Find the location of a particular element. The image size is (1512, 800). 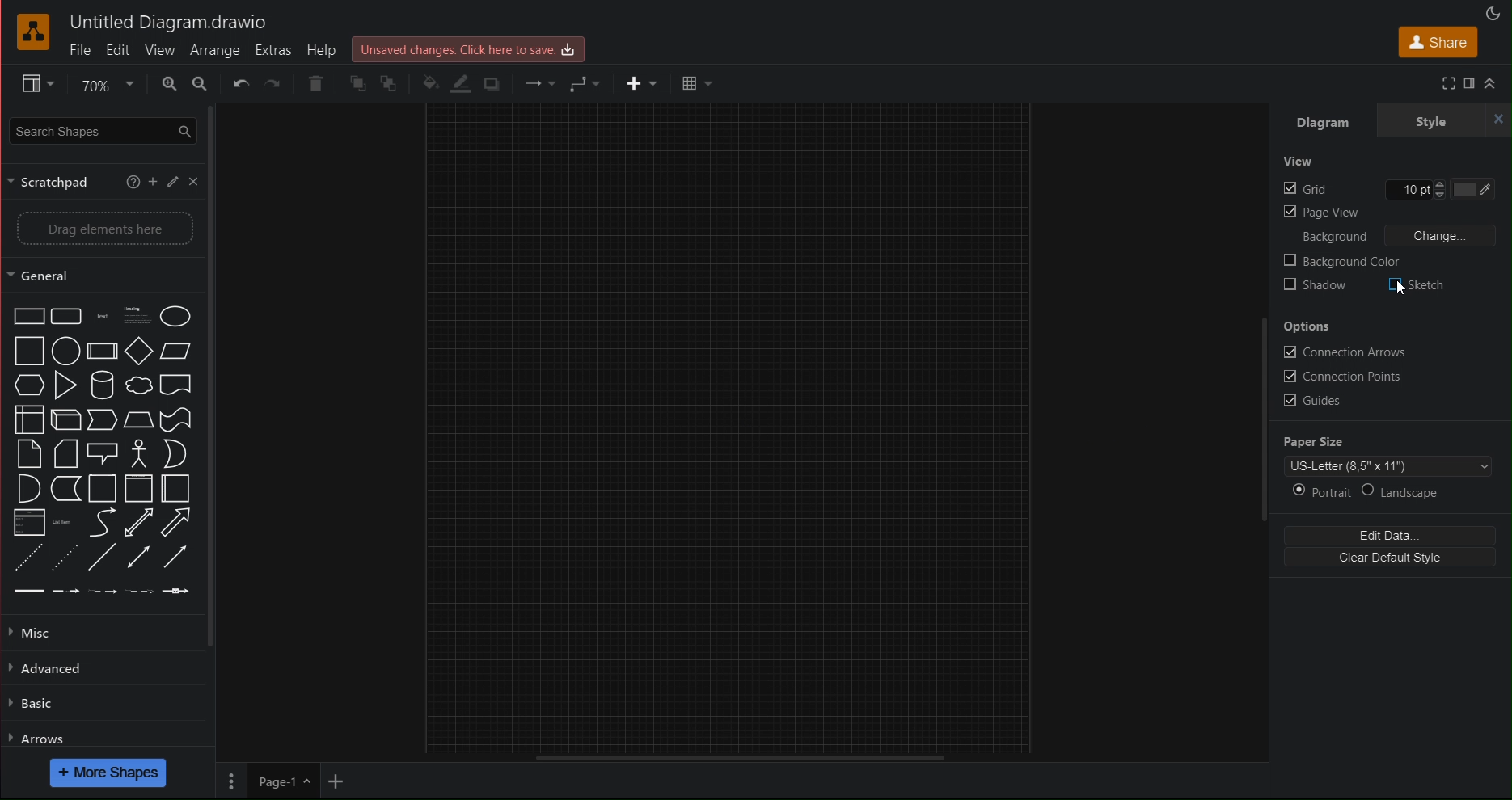

tape is located at coordinates (177, 420).